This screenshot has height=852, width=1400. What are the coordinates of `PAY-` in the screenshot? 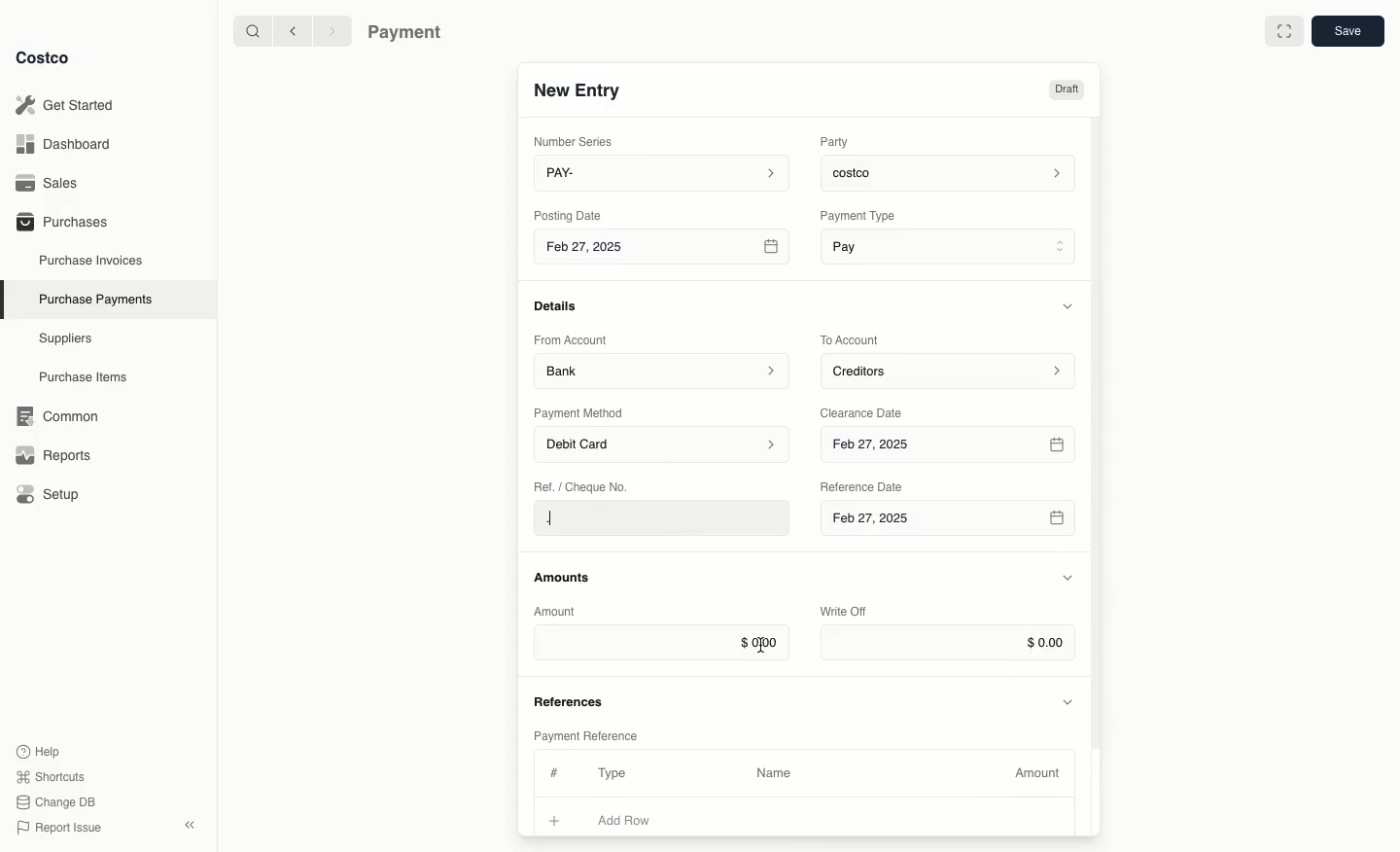 It's located at (663, 172).